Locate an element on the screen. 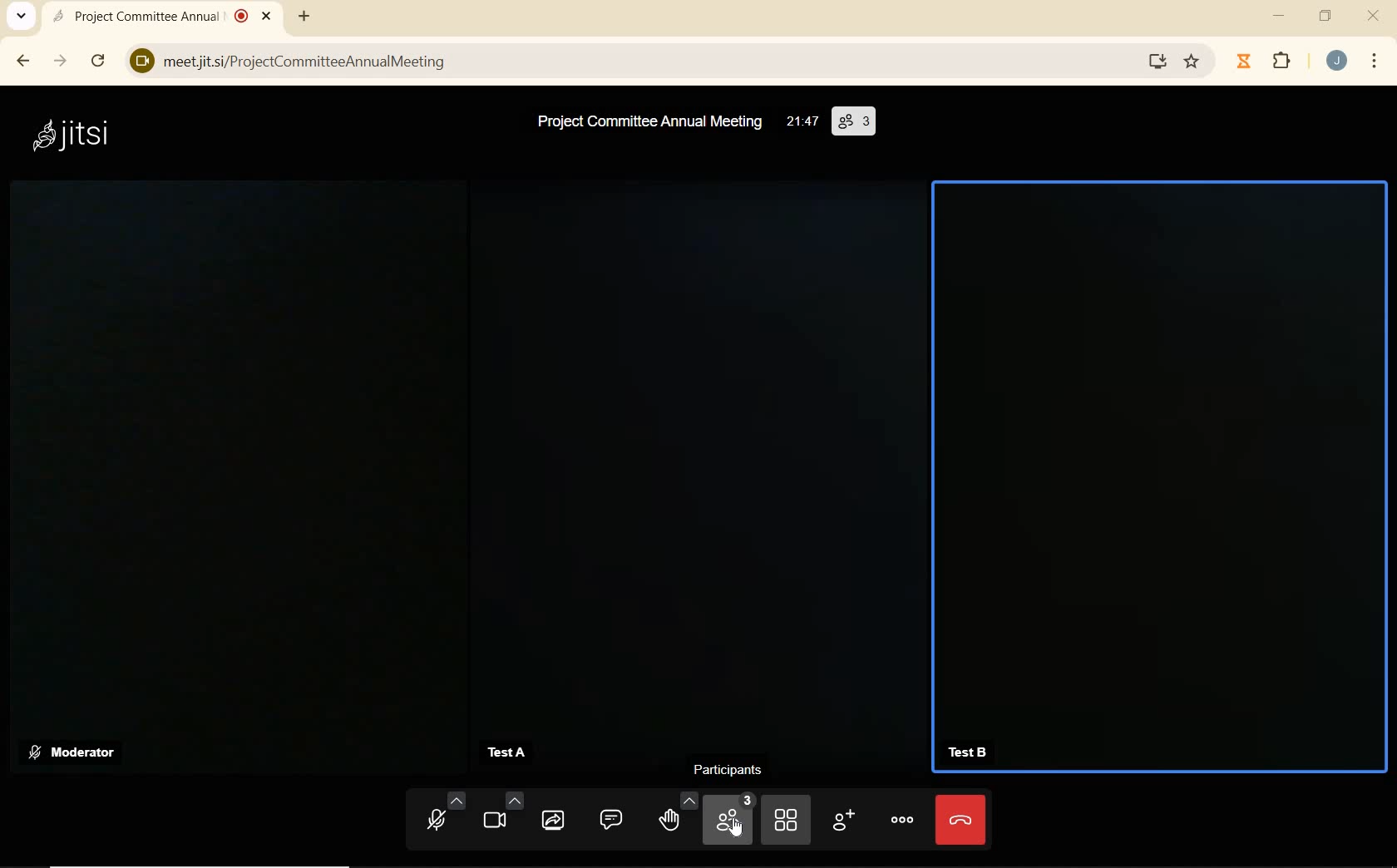  CAMERA is located at coordinates (501, 814).